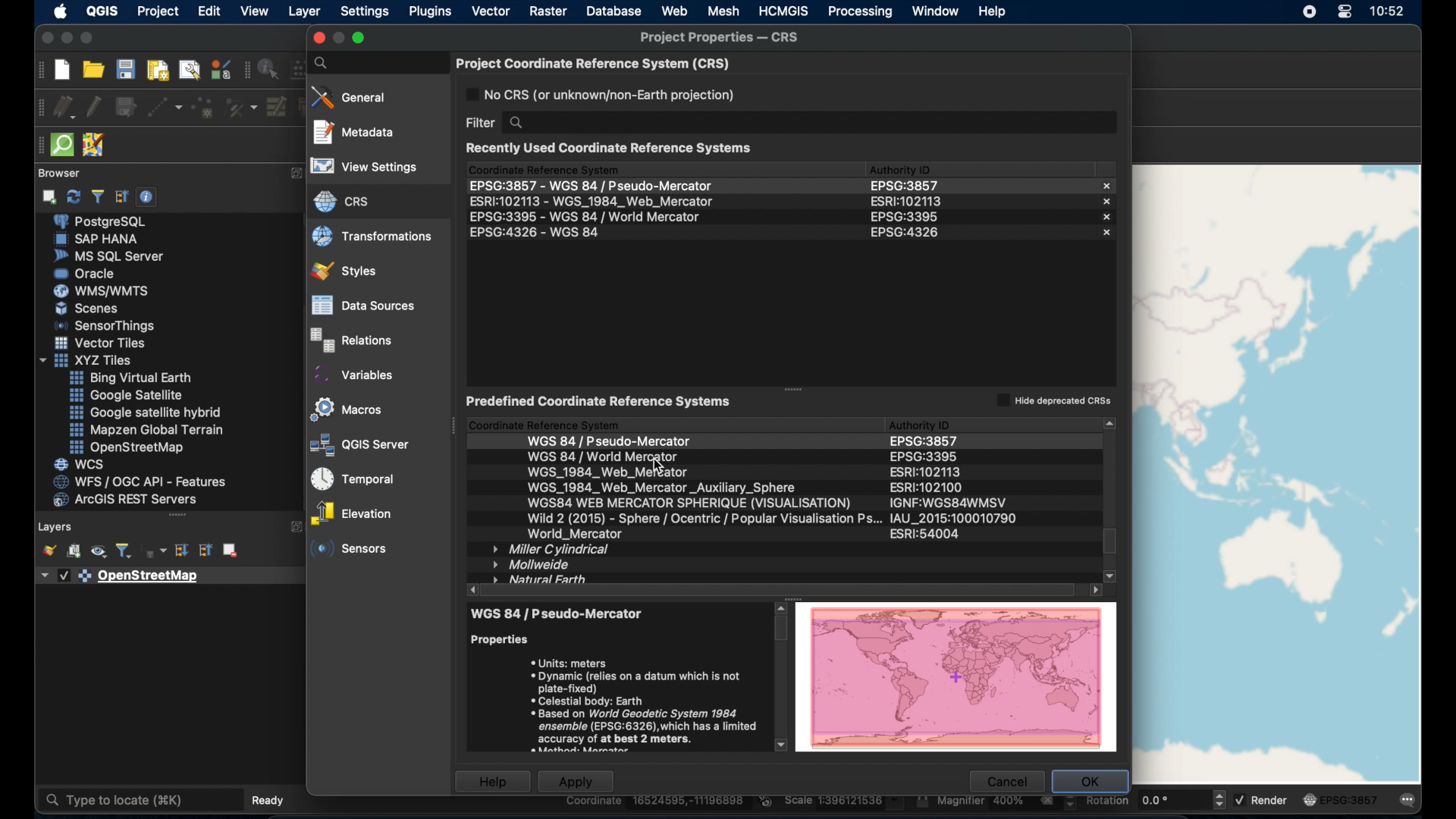 The image size is (1456, 819). What do you see at coordinates (317, 38) in the screenshot?
I see `close` at bounding box center [317, 38].